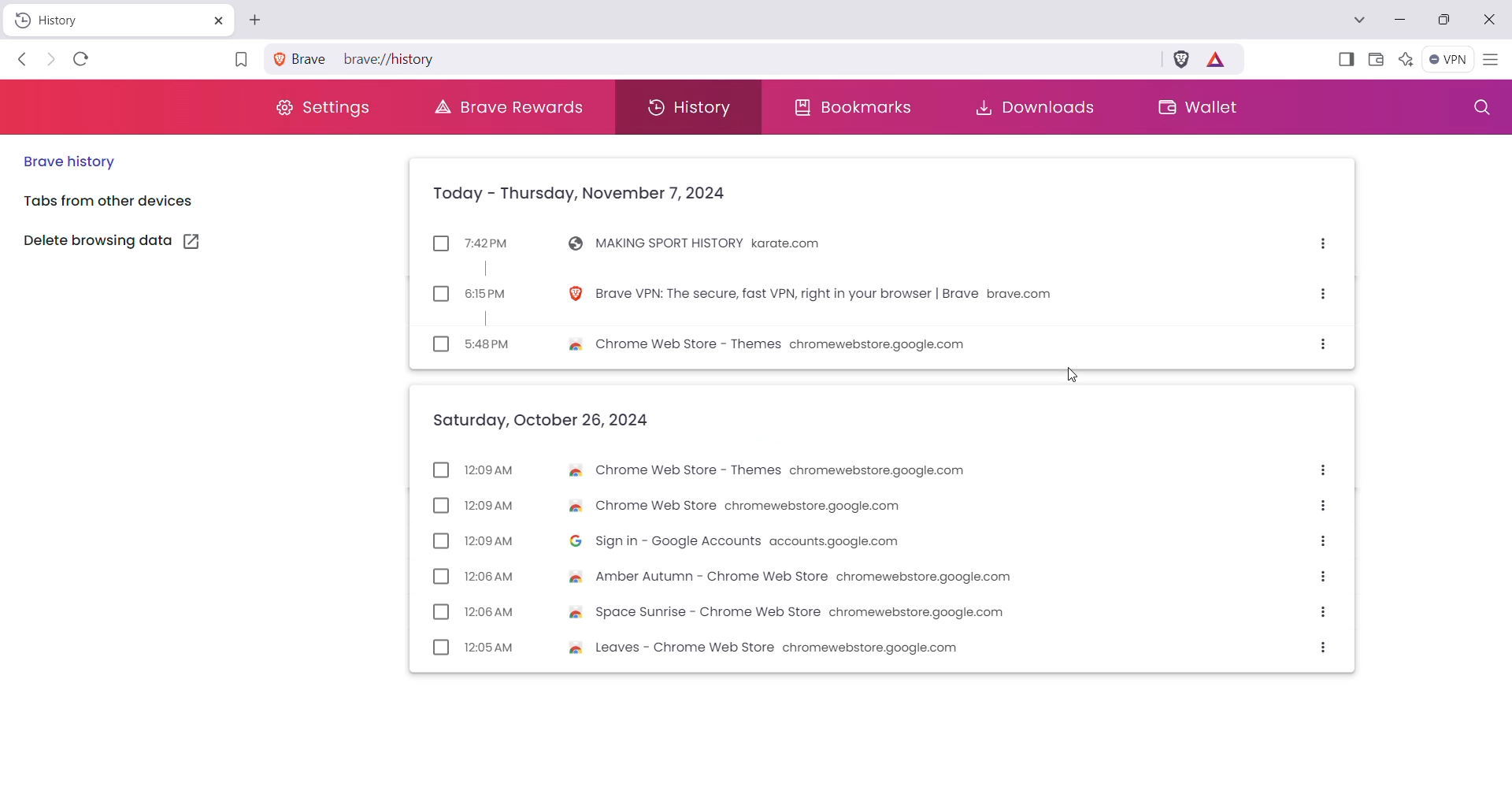  What do you see at coordinates (737, 243) in the screenshot?
I see `MAKING SPORT HISTORY karate.com` at bounding box center [737, 243].